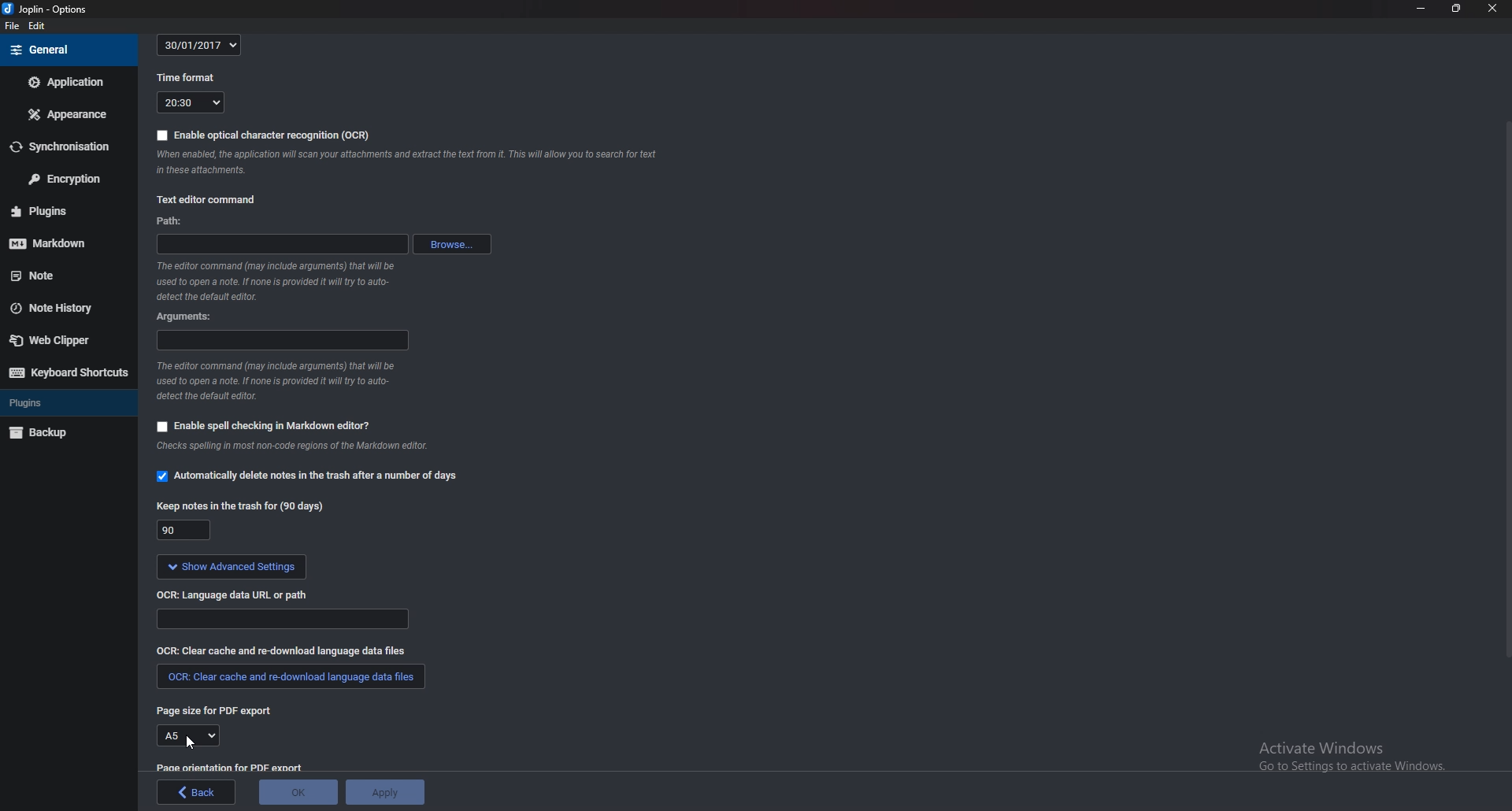 The width and height of the screenshot is (1512, 811). I want to click on Text editor command, so click(209, 198).